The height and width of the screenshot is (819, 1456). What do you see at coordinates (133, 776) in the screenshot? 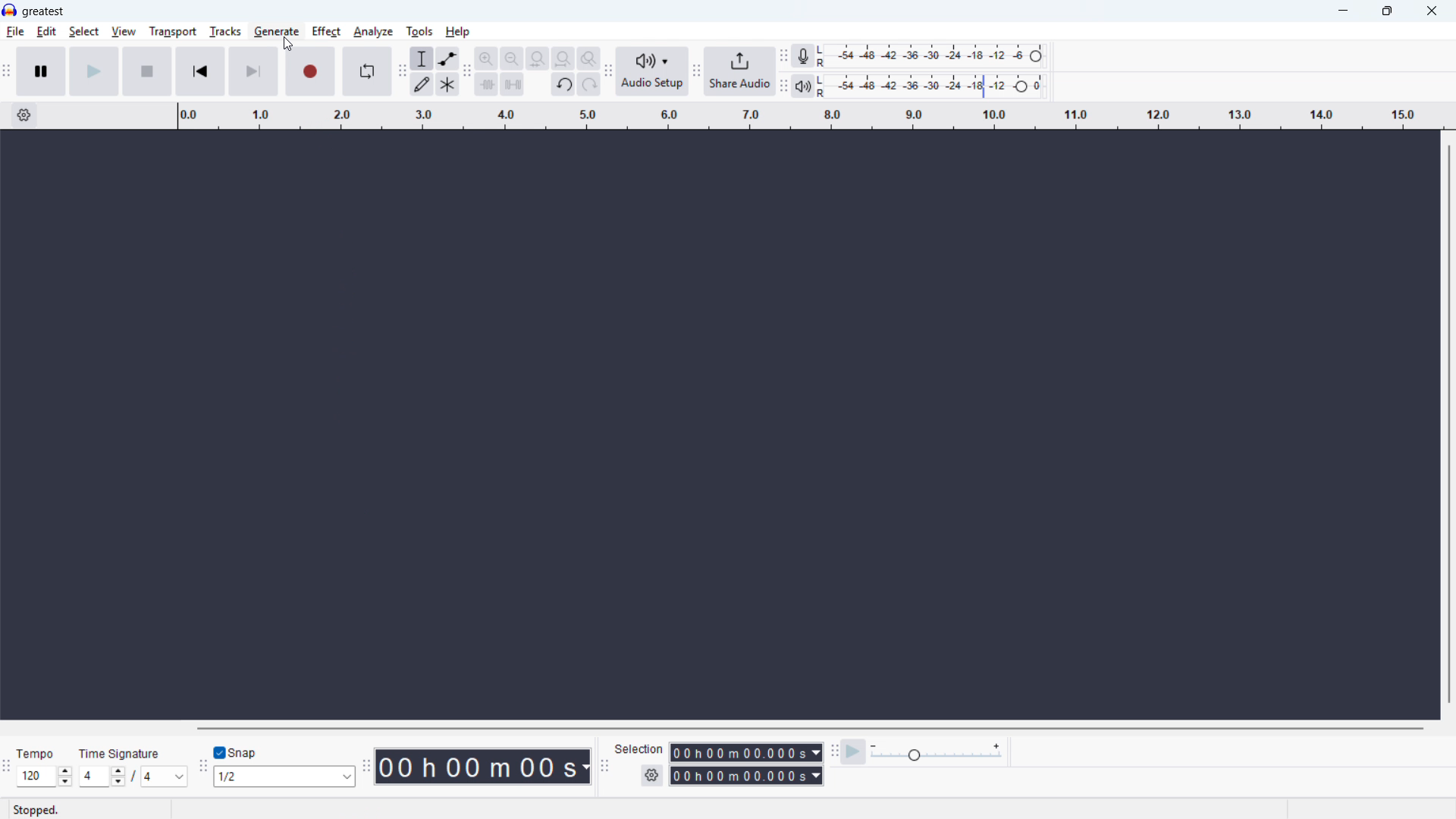
I see `Set time signature ` at bounding box center [133, 776].